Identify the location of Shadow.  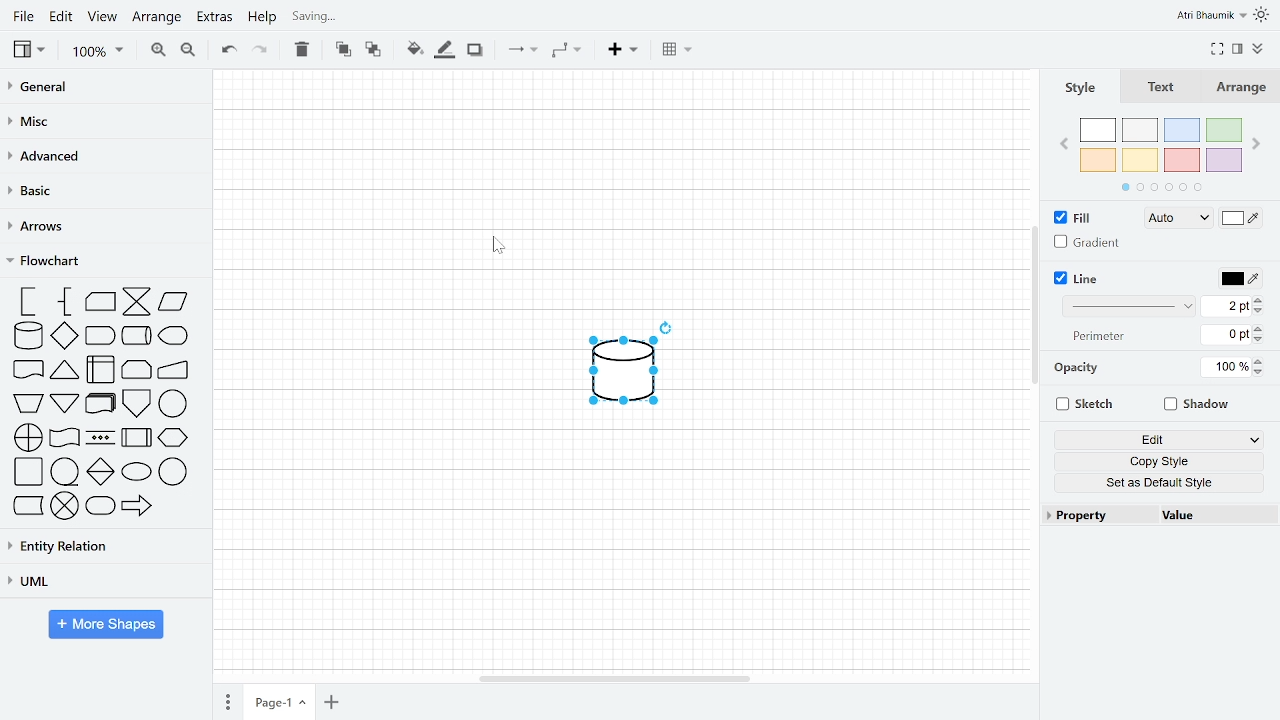
(1195, 405).